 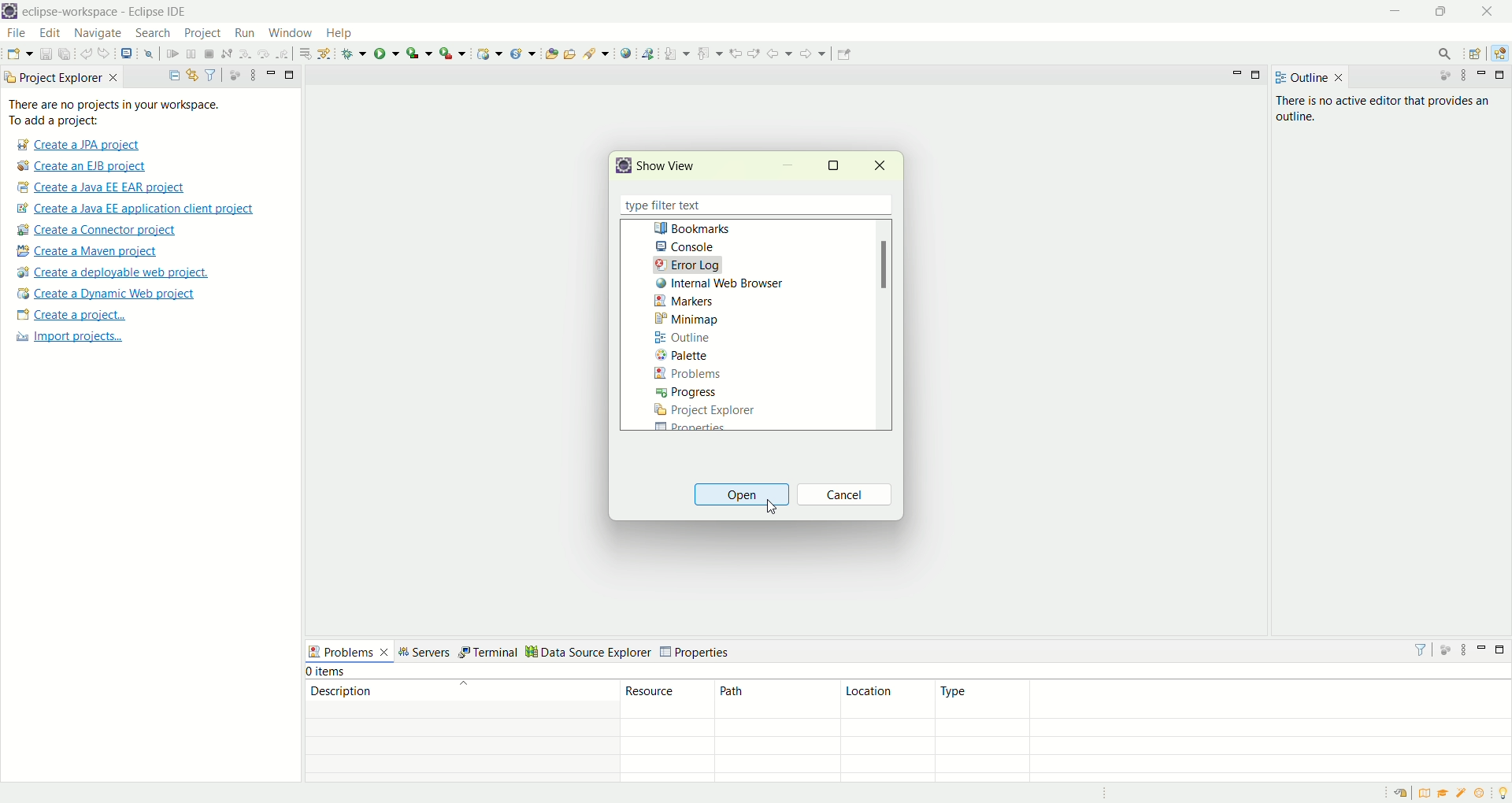 I want to click on close, so click(x=882, y=167).